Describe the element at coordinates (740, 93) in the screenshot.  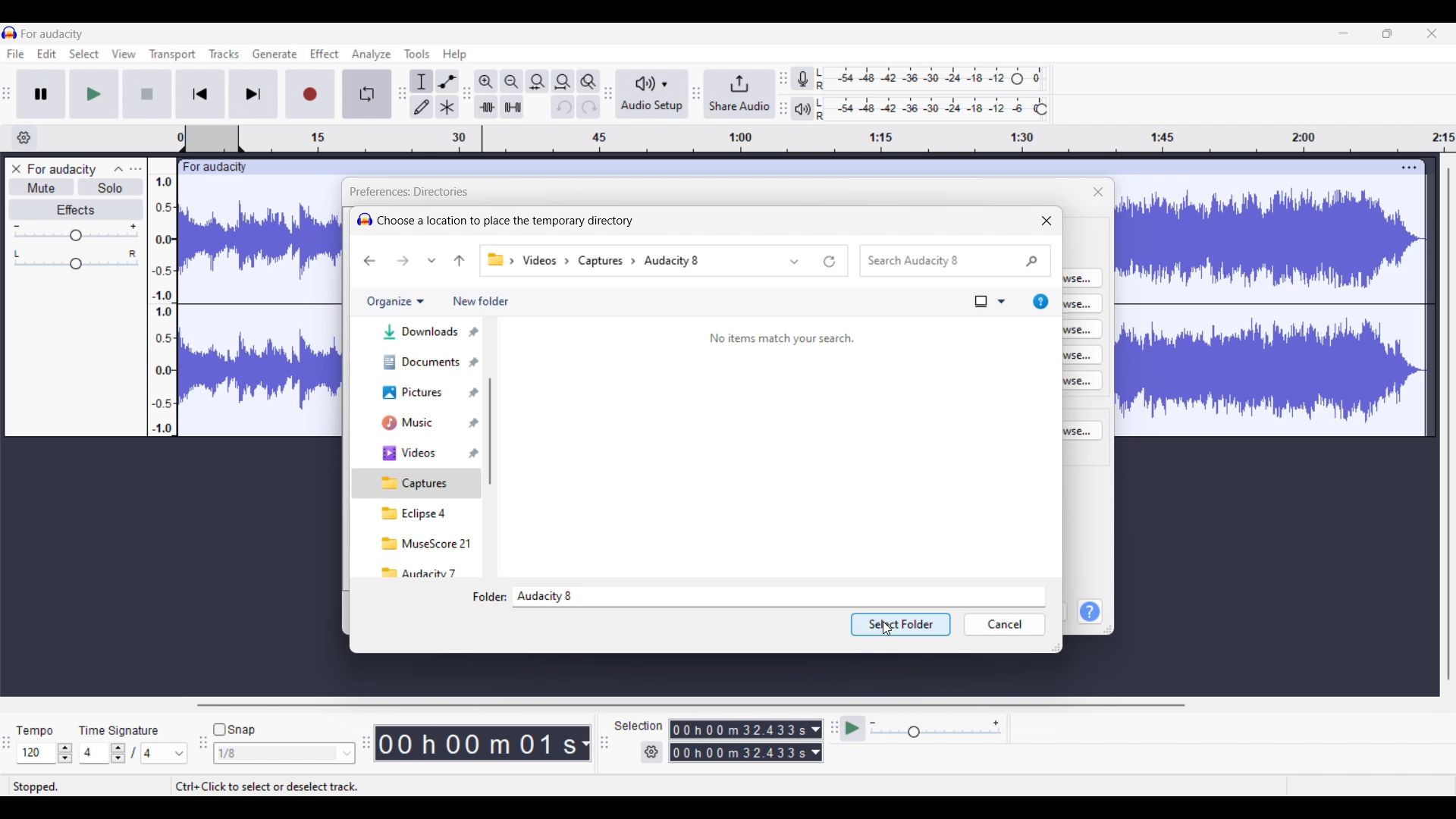
I see `Share audio` at that location.